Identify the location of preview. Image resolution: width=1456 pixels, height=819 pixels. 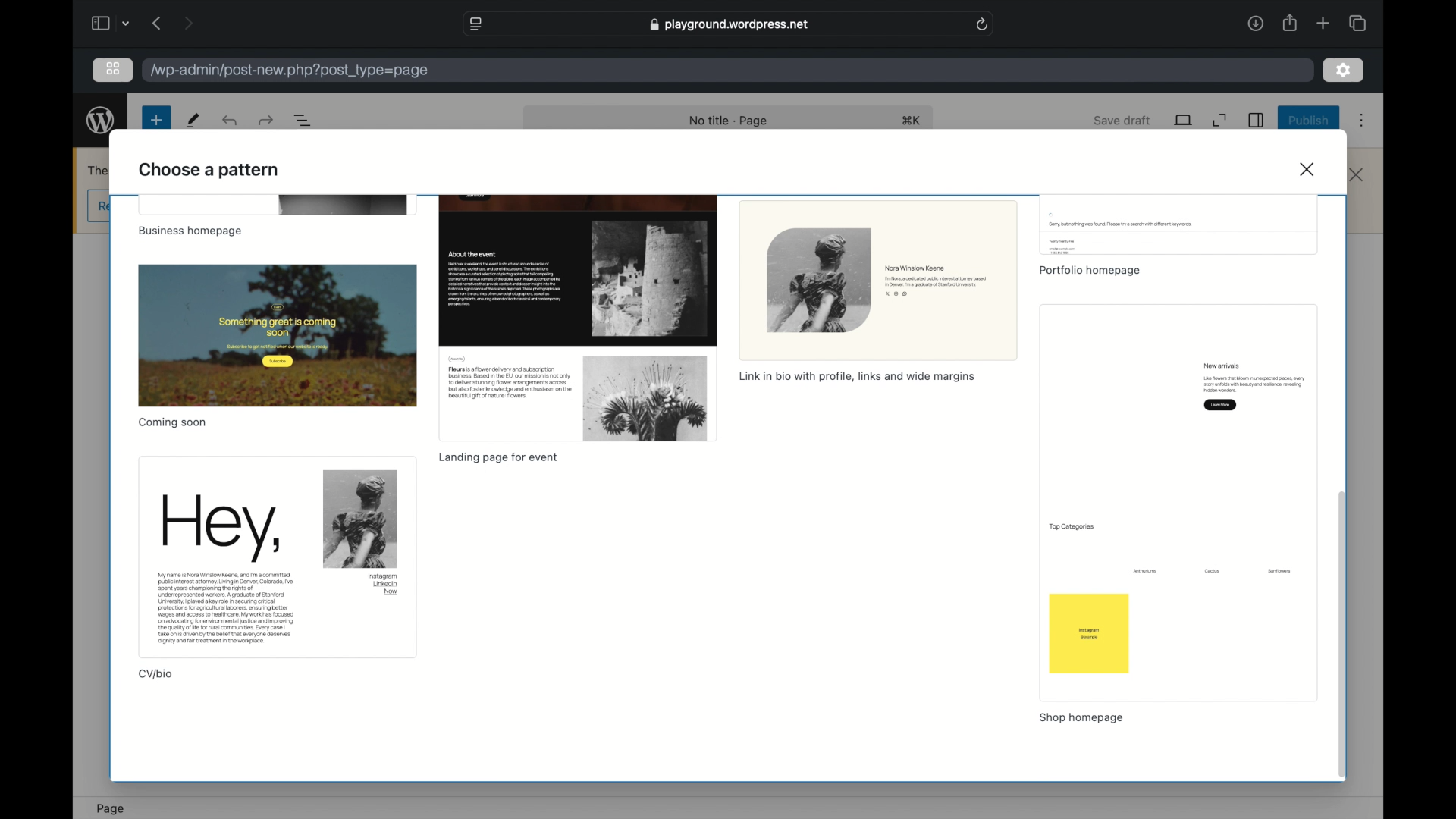
(276, 206).